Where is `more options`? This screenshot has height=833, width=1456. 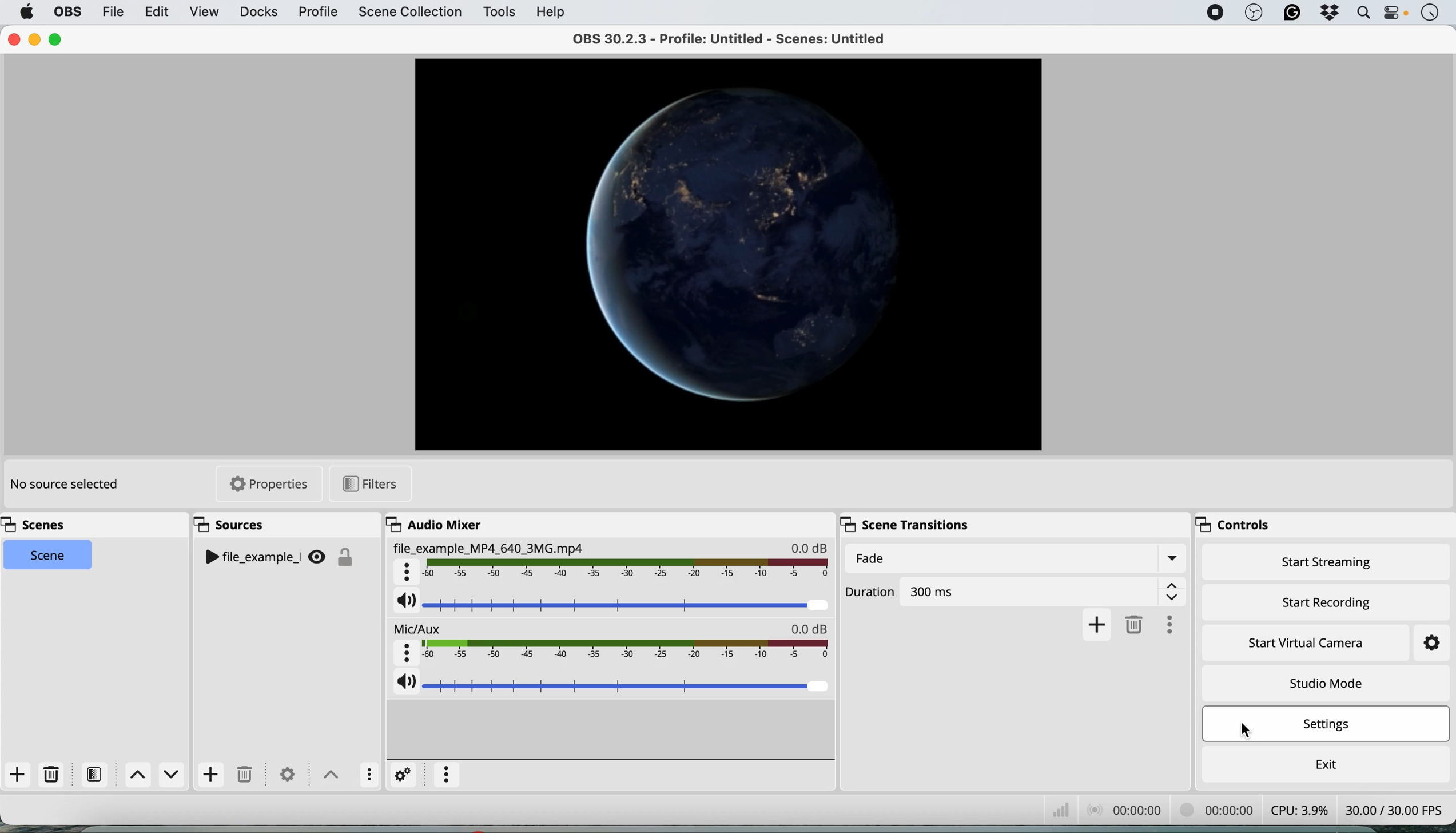 more options is located at coordinates (1176, 622).